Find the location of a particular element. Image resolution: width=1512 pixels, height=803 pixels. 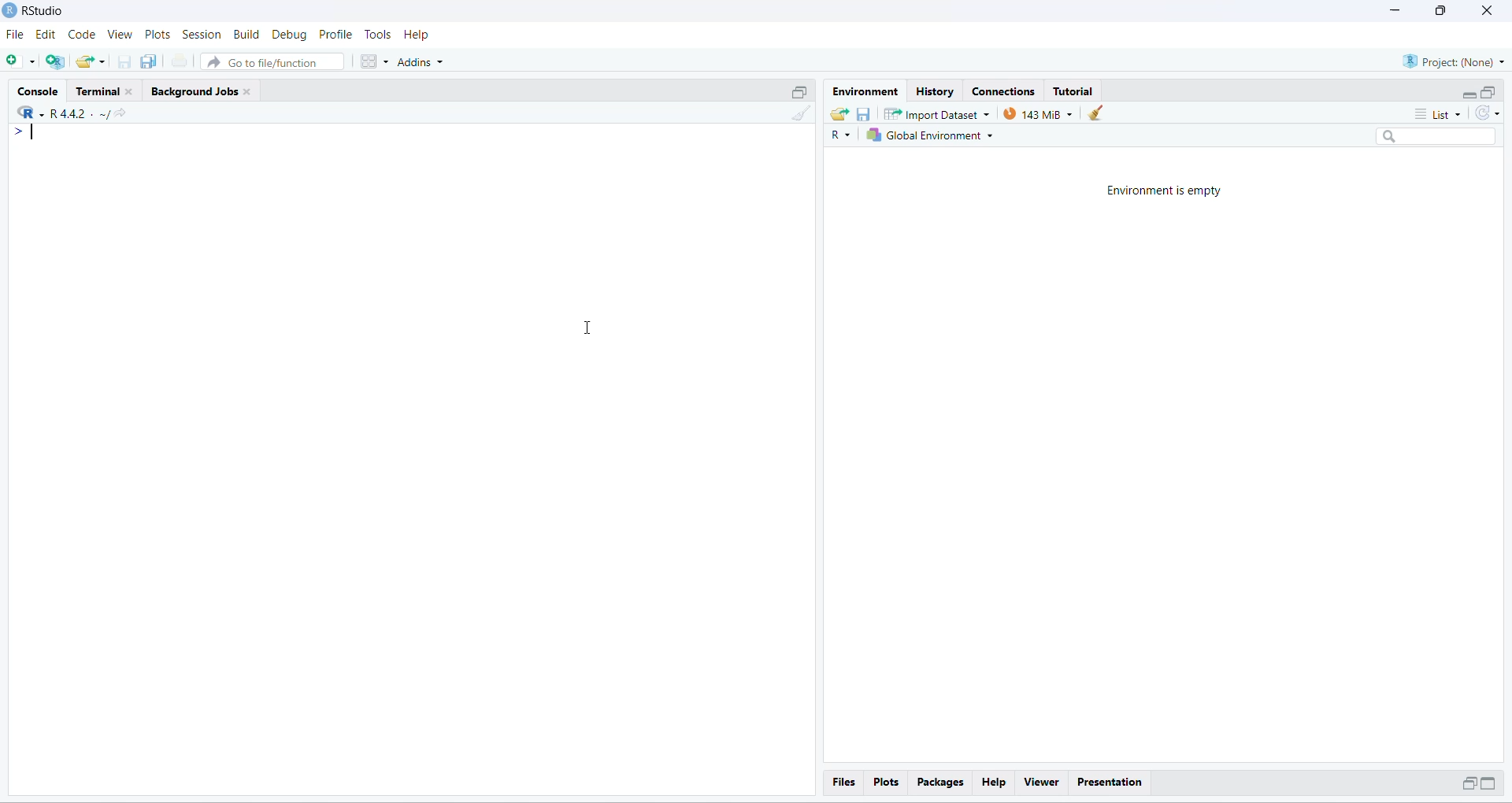

R is located at coordinates (30, 111).